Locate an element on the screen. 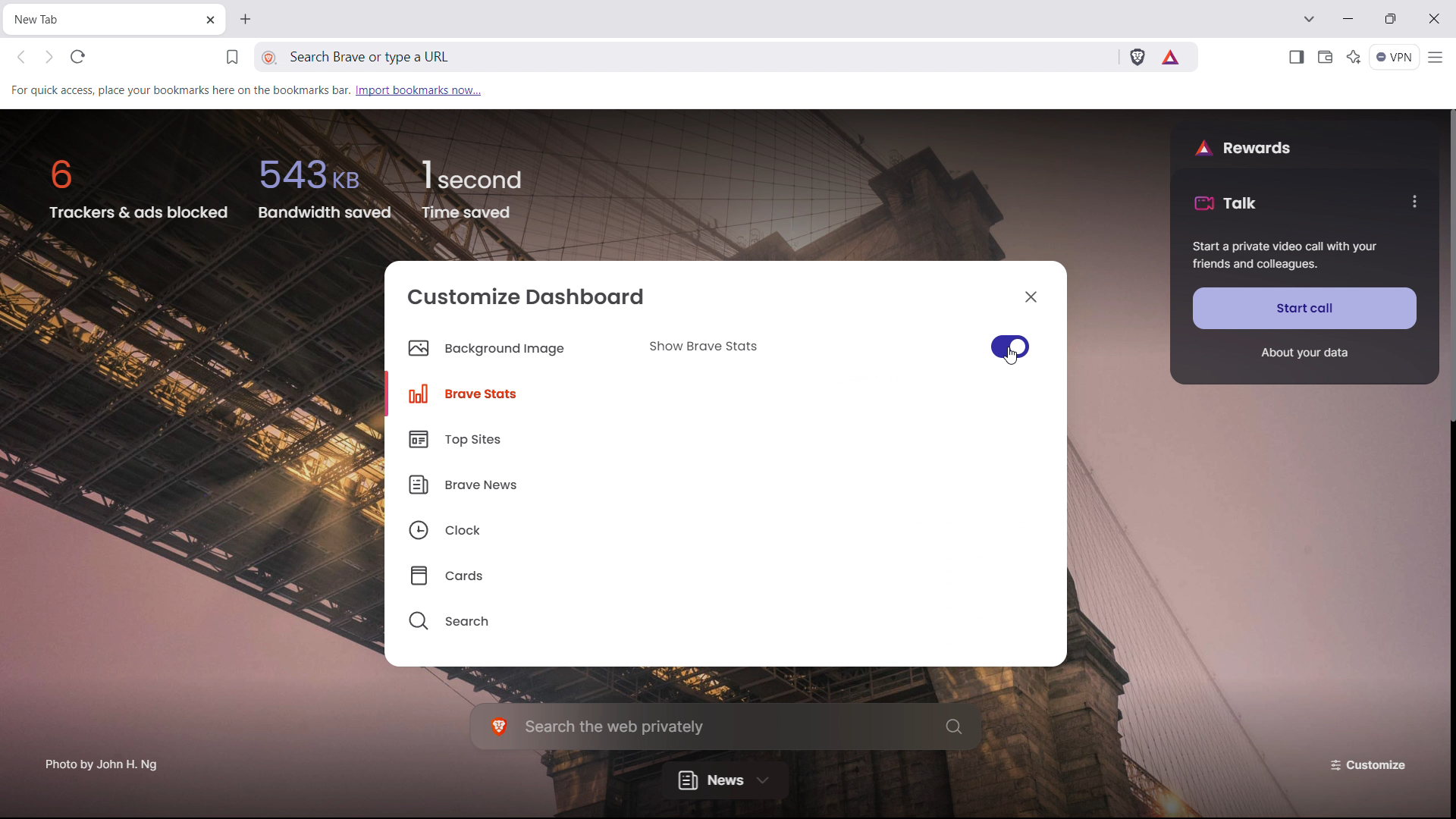  Background Image is located at coordinates (485, 350).